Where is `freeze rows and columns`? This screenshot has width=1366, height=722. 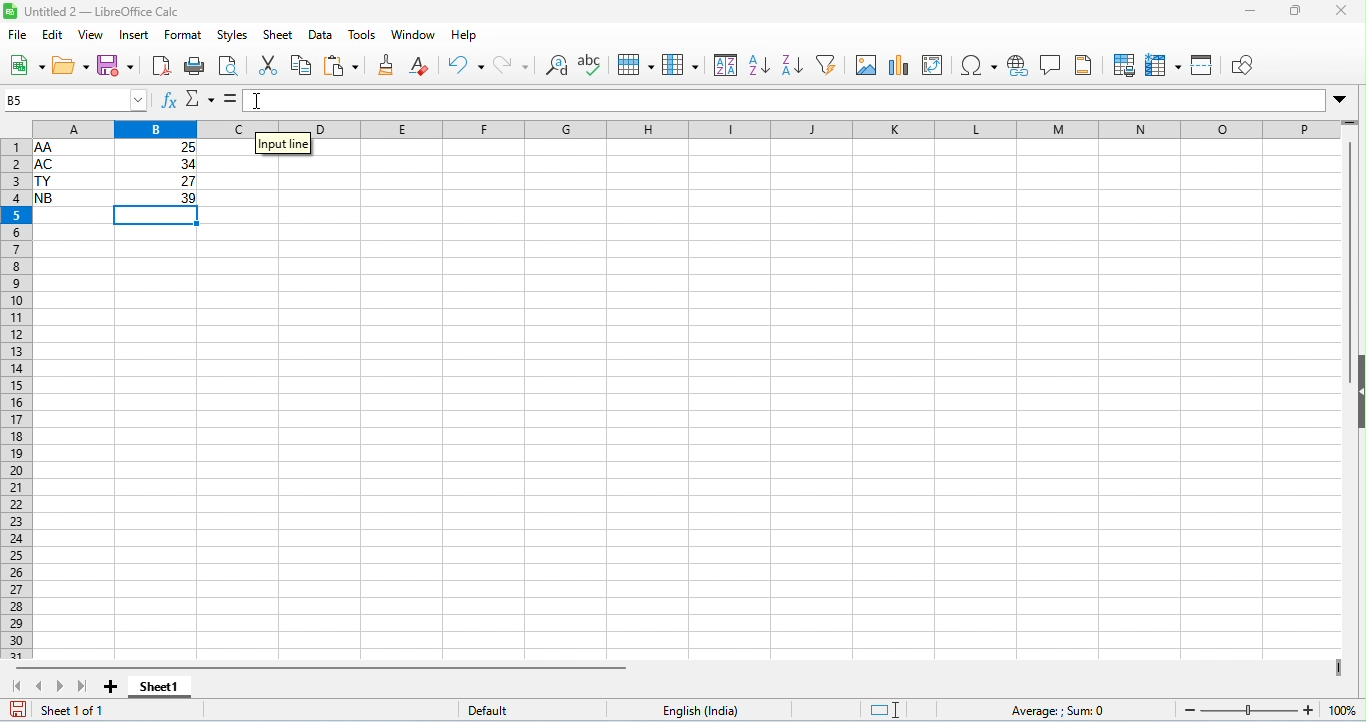
freeze rows and columns is located at coordinates (1163, 66).